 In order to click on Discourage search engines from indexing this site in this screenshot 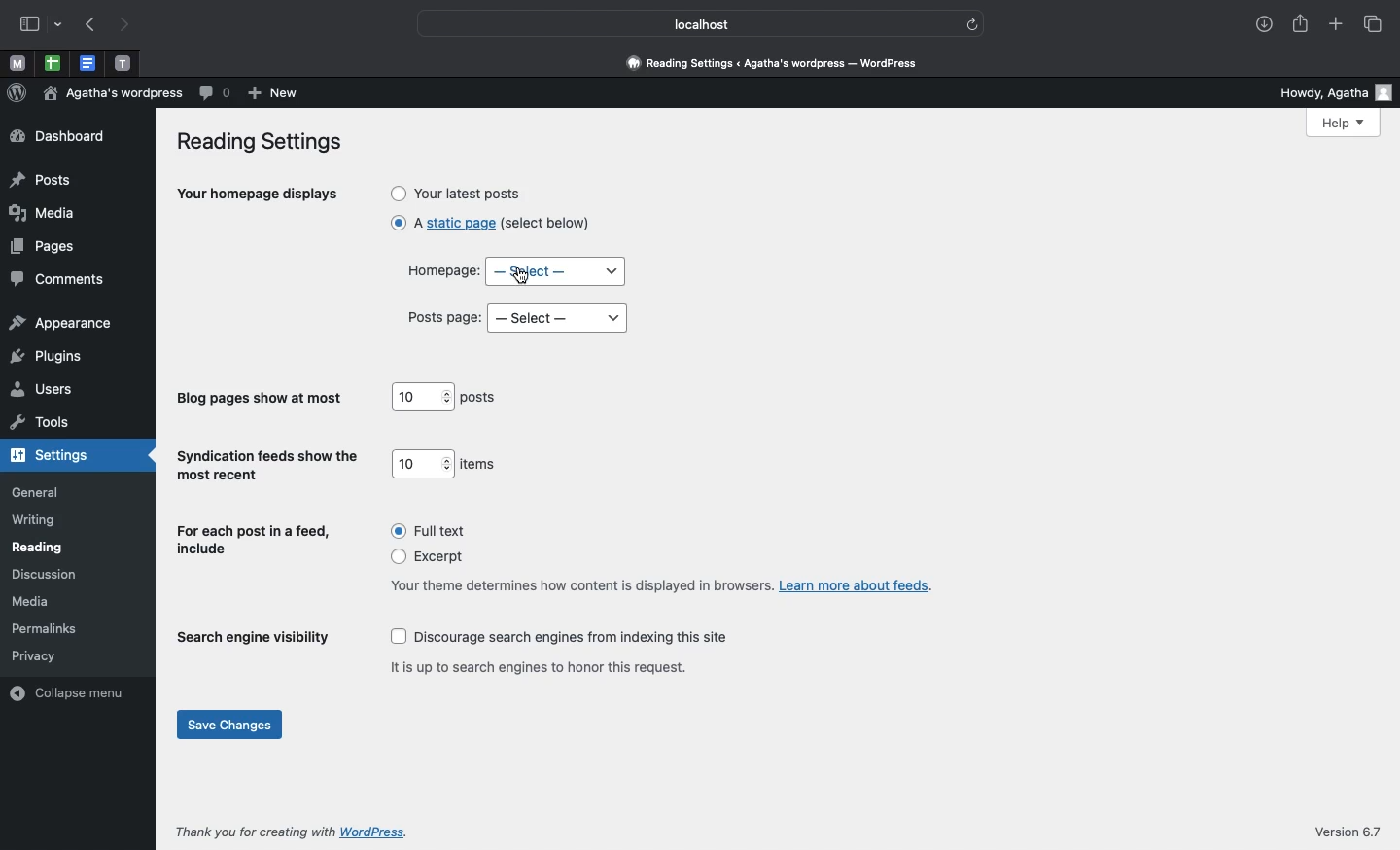, I will do `click(566, 638)`.